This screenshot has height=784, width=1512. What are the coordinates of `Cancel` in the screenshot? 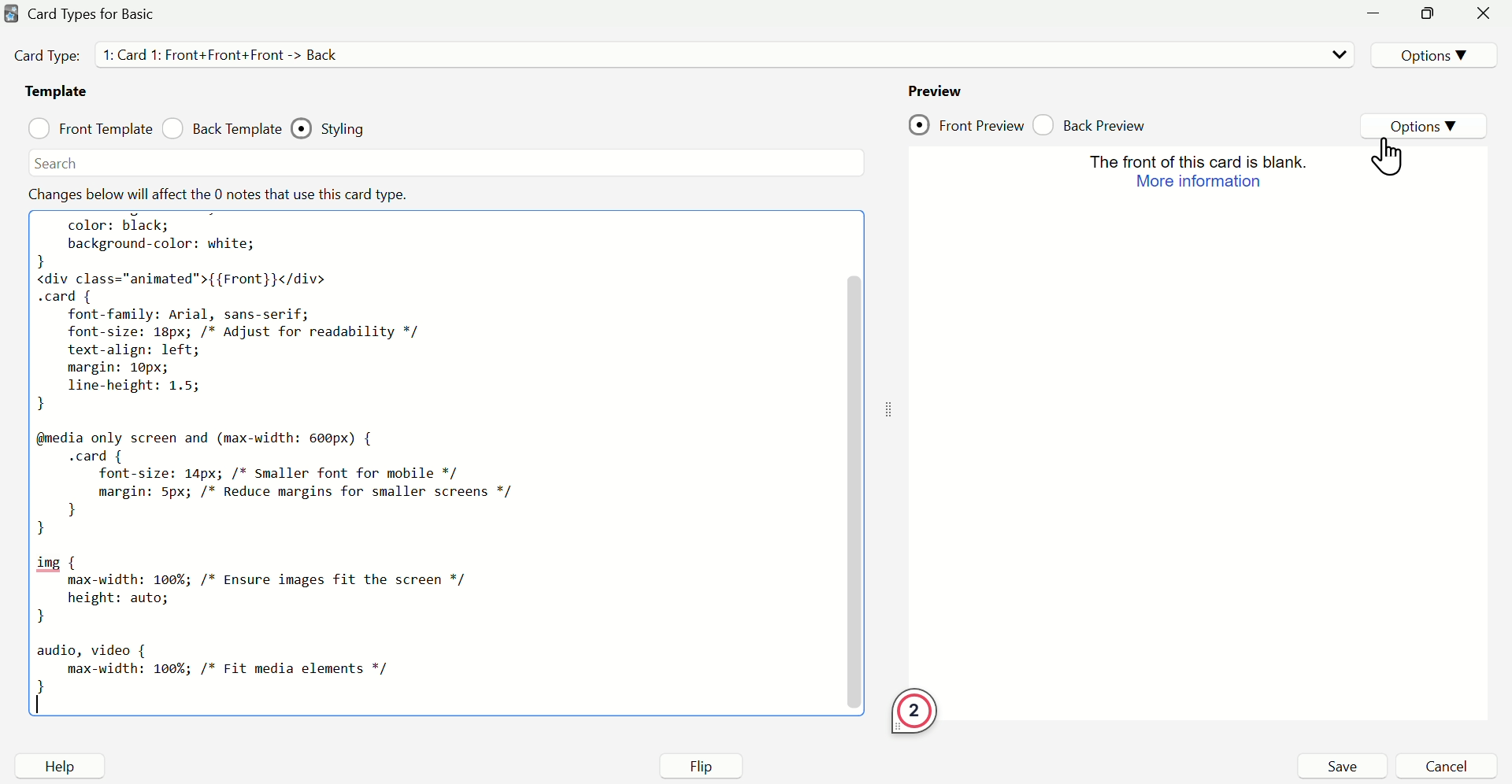 It's located at (1447, 766).